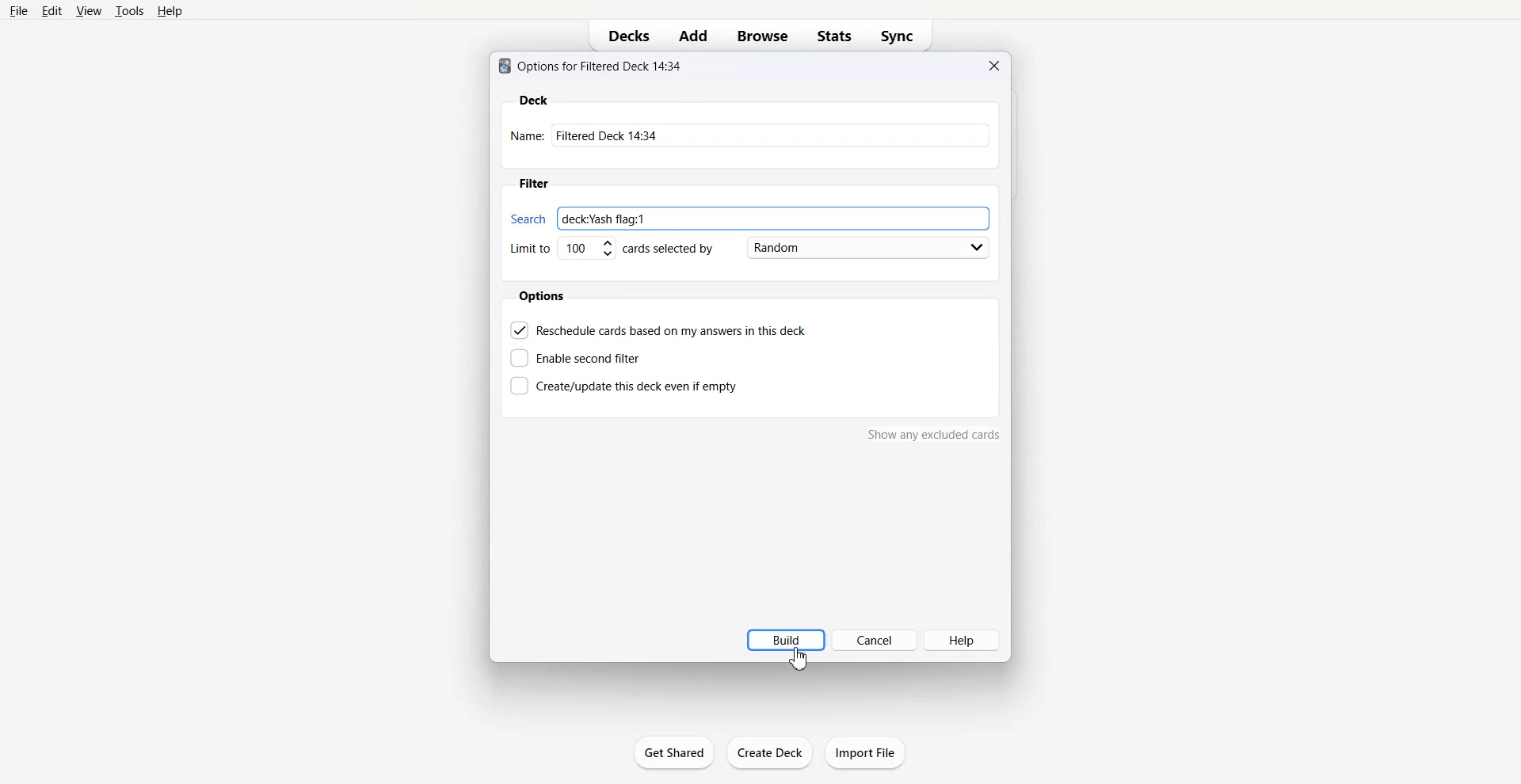  Describe the element at coordinates (90, 10) in the screenshot. I see `View` at that location.